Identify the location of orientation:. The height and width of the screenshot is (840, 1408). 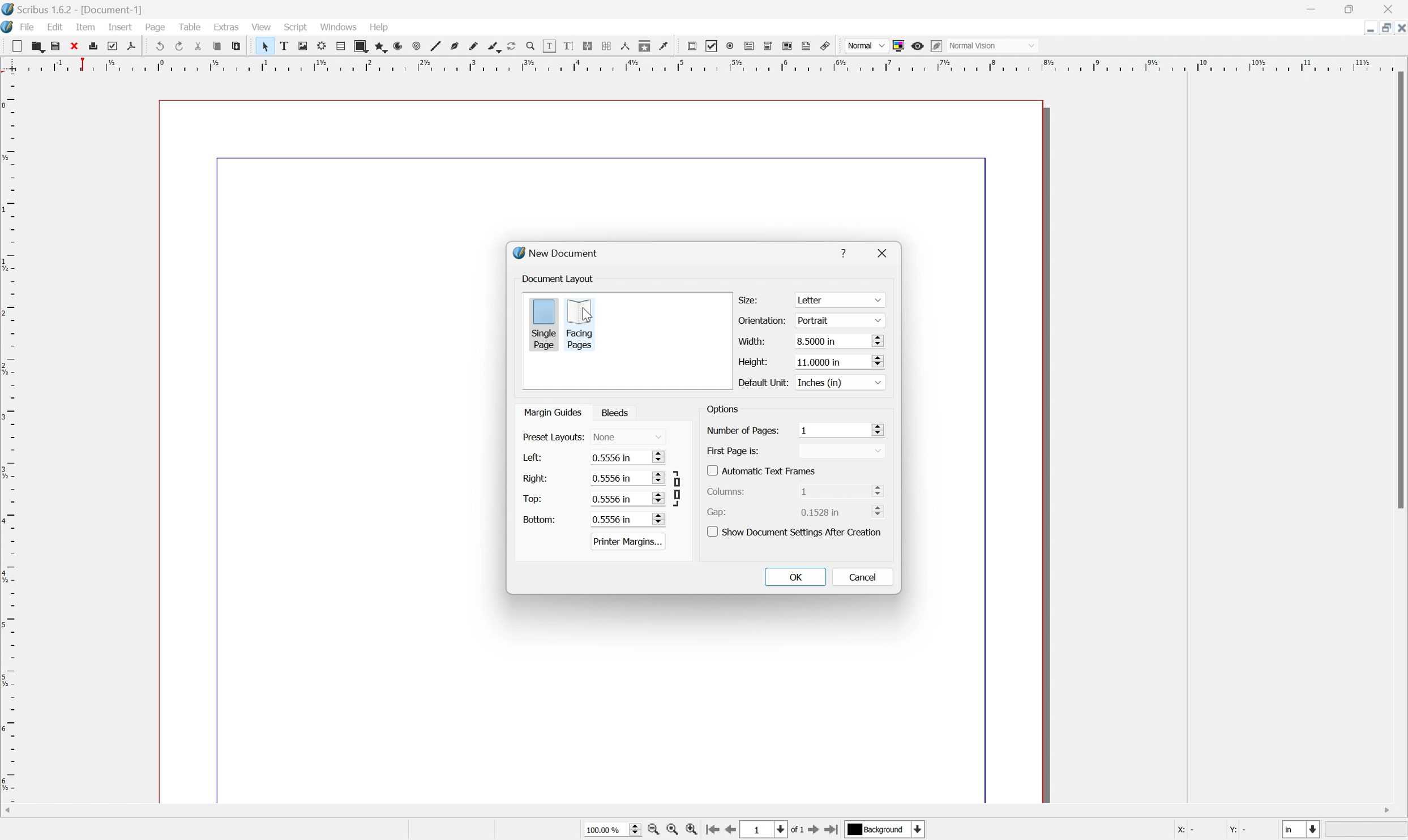
(764, 321).